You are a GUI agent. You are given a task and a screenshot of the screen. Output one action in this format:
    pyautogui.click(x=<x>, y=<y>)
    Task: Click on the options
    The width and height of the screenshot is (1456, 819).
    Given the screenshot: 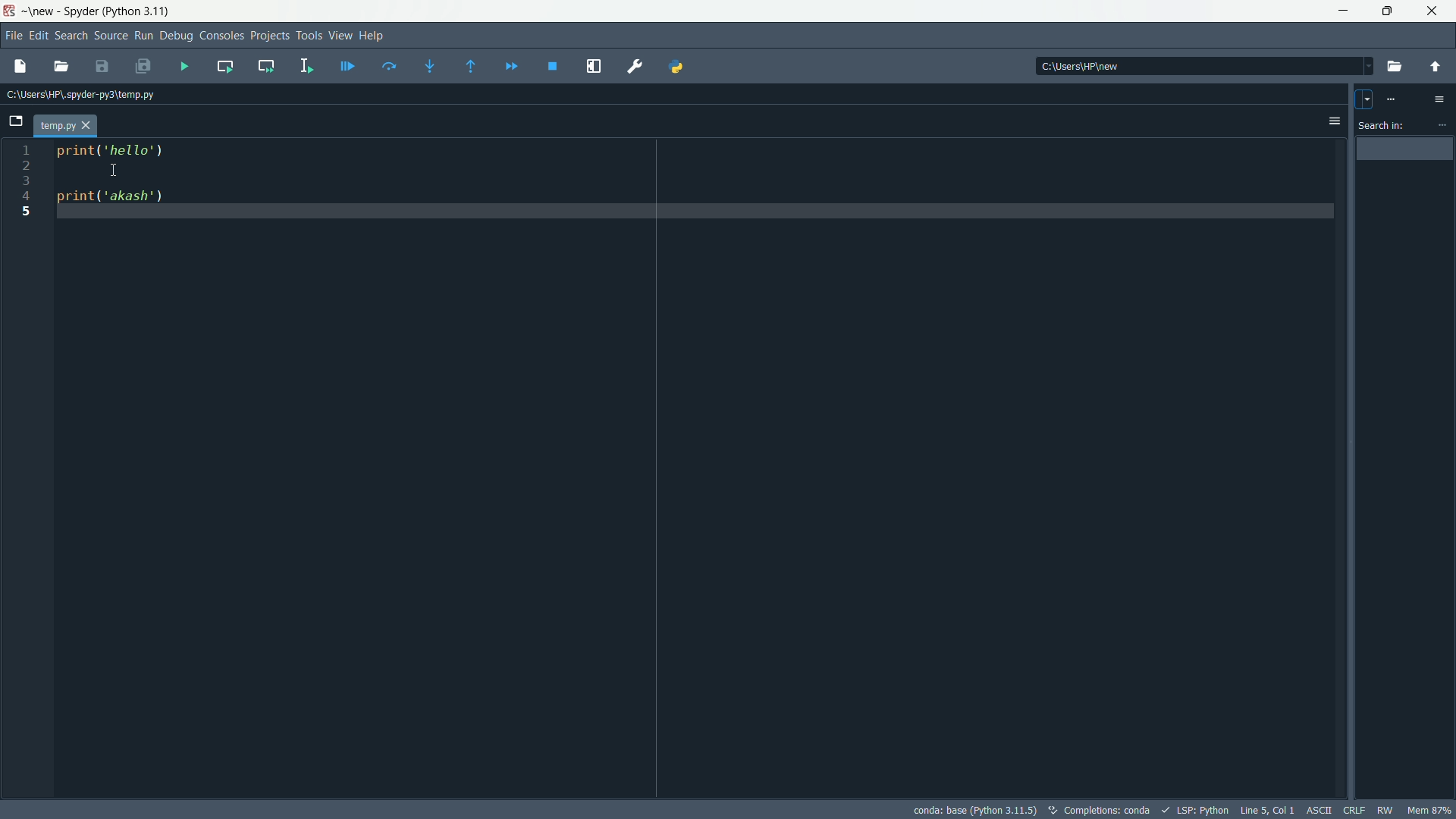 What is the action you would take?
    pyautogui.click(x=1442, y=121)
    